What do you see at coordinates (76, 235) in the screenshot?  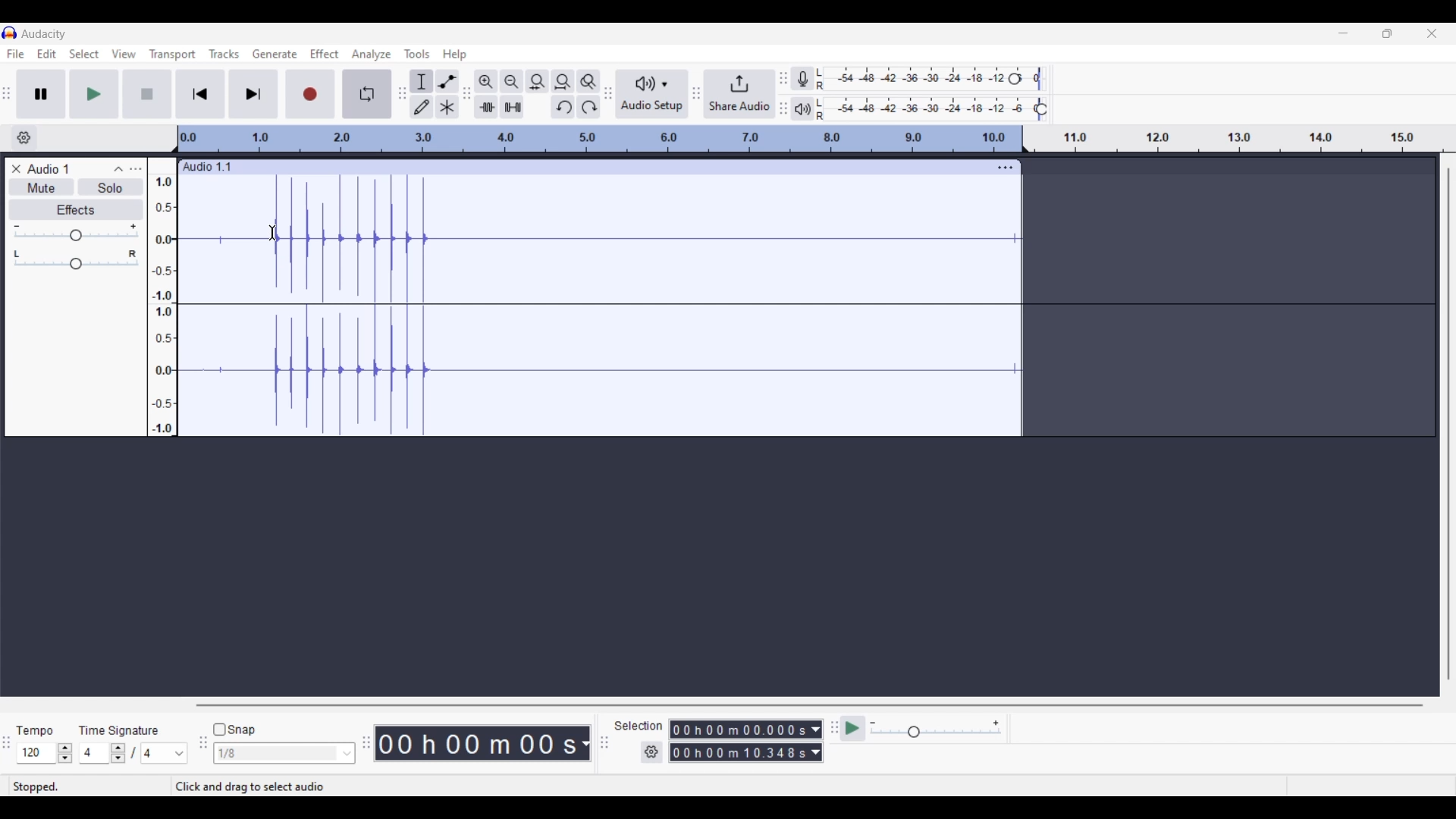 I see `Gain` at bounding box center [76, 235].